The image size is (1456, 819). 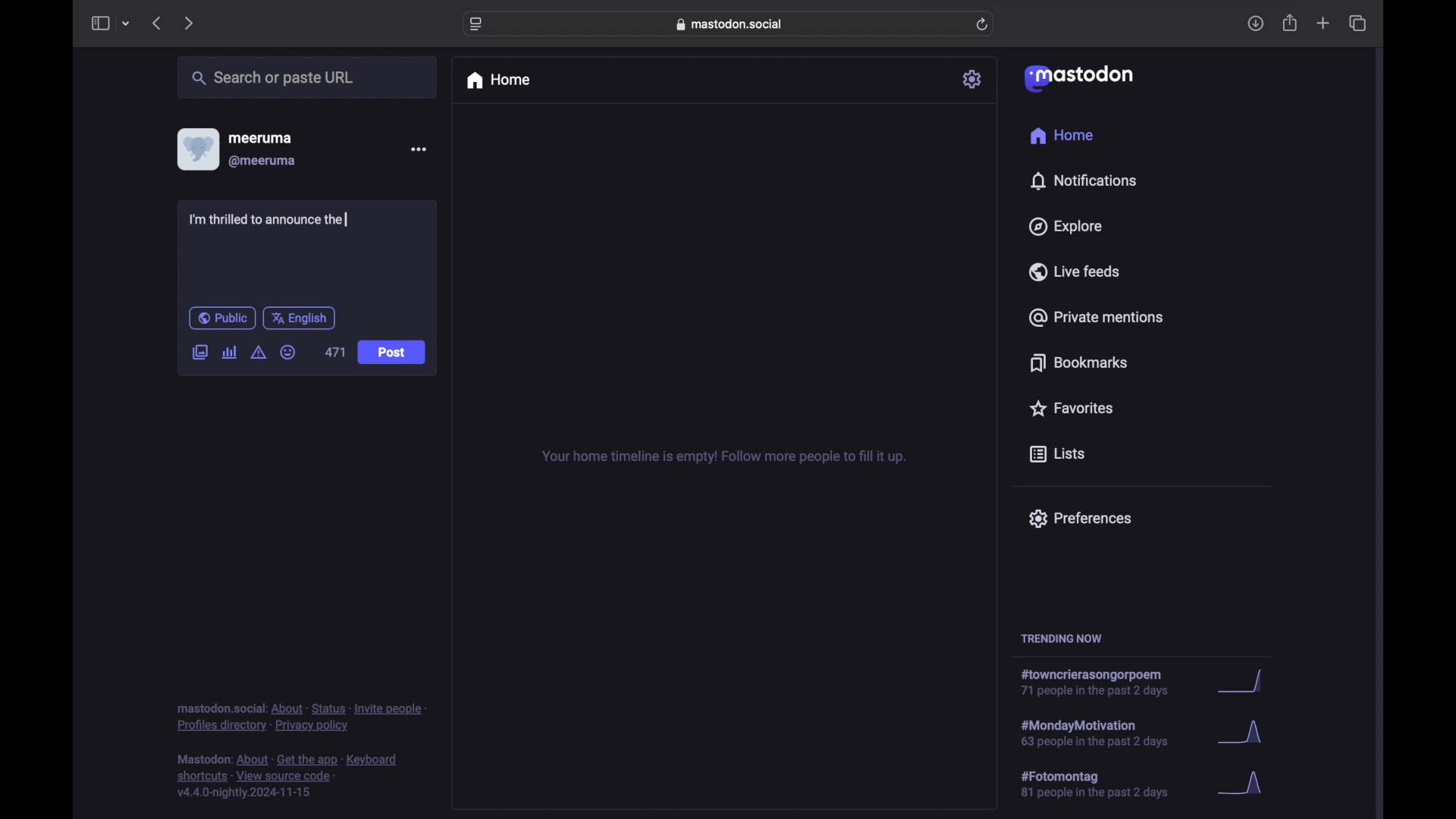 What do you see at coordinates (497, 80) in the screenshot?
I see `home` at bounding box center [497, 80].